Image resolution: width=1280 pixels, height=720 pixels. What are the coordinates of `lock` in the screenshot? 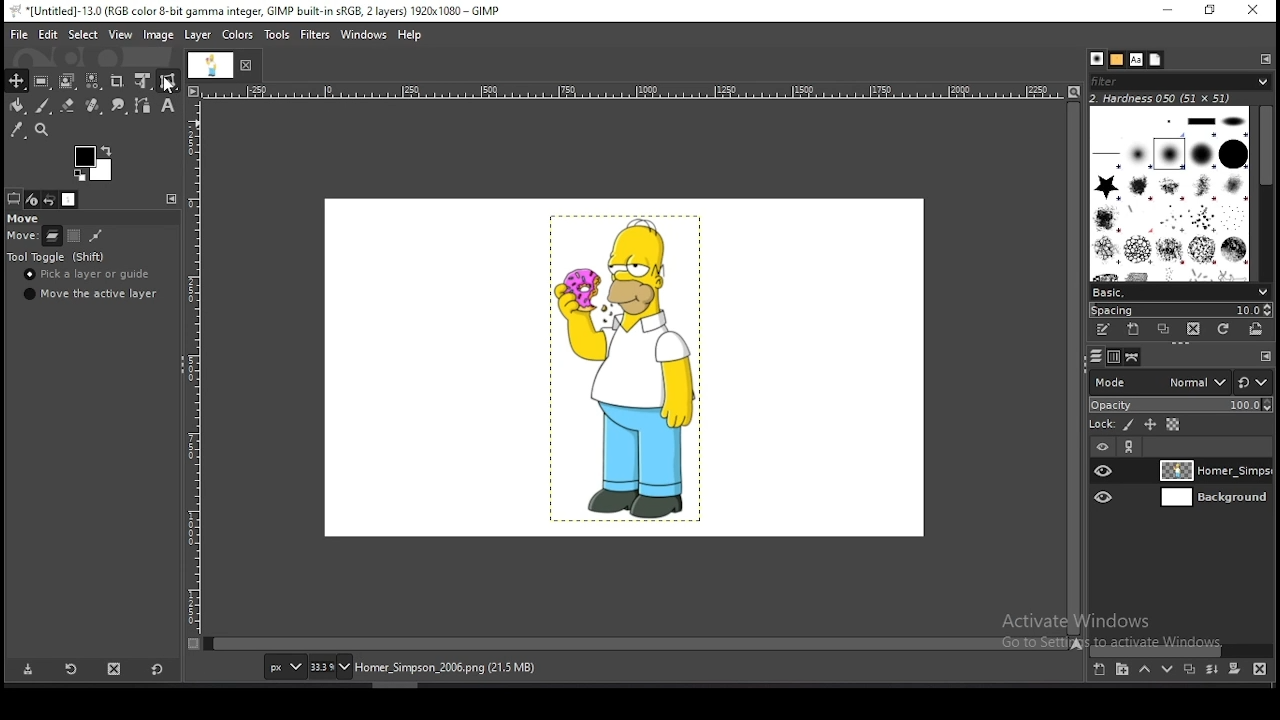 It's located at (1100, 425).